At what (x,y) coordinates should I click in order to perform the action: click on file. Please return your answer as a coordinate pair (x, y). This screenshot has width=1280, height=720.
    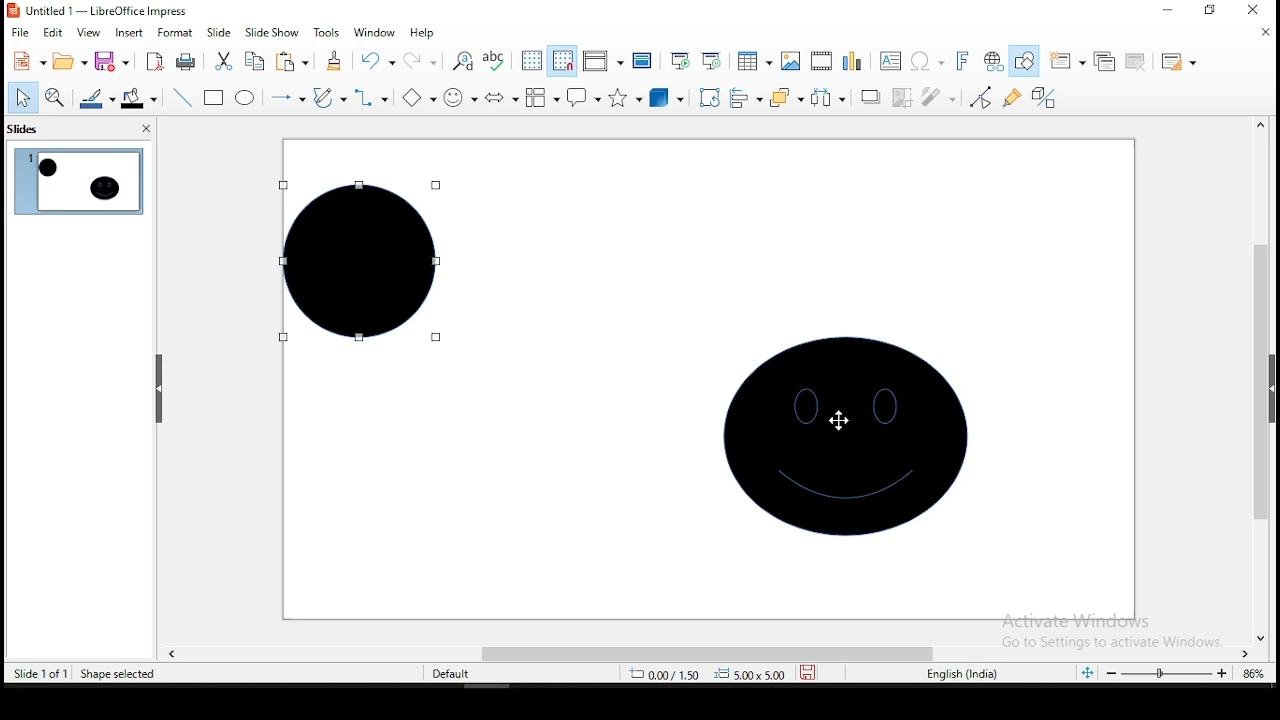
    Looking at the image, I should click on (19, 32).